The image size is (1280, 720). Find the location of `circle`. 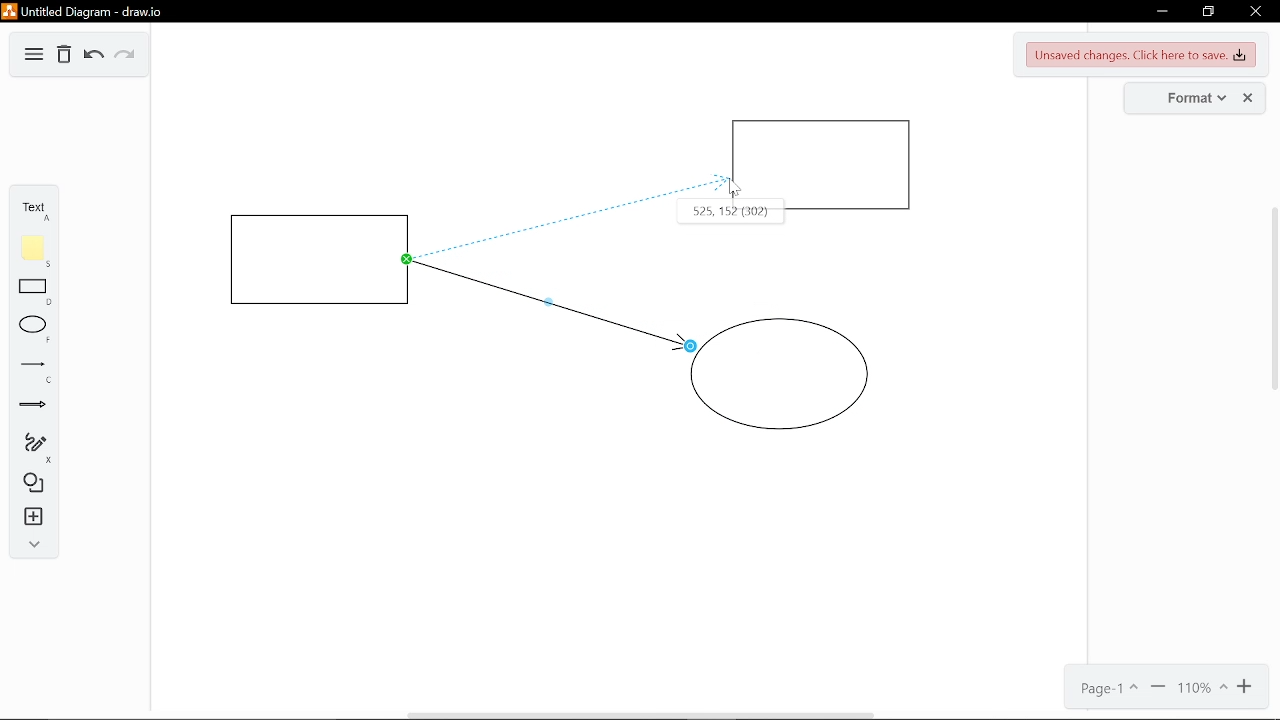

circle is located at coordinates (780, 374).